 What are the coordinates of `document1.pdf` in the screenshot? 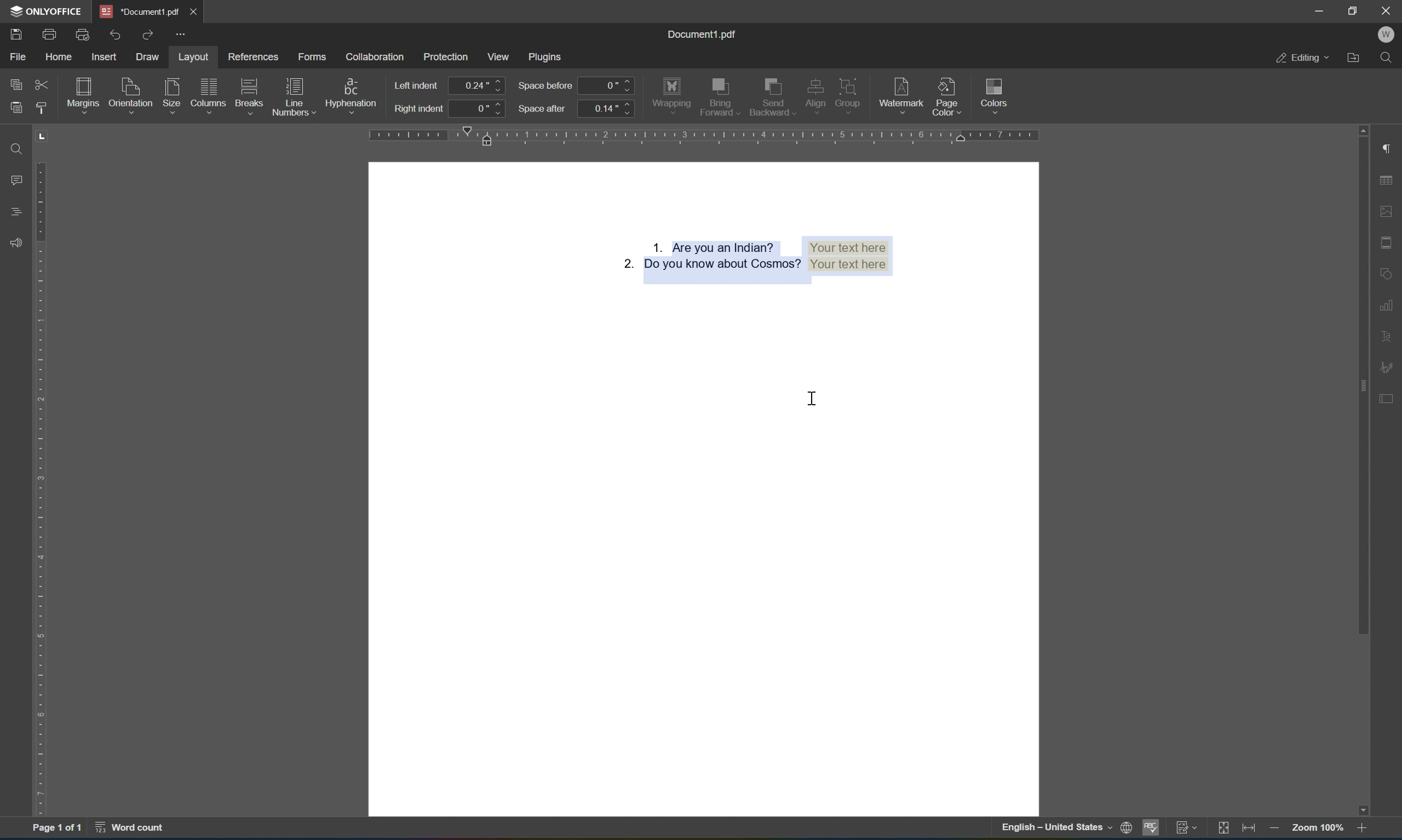 It's located at (704, 36).